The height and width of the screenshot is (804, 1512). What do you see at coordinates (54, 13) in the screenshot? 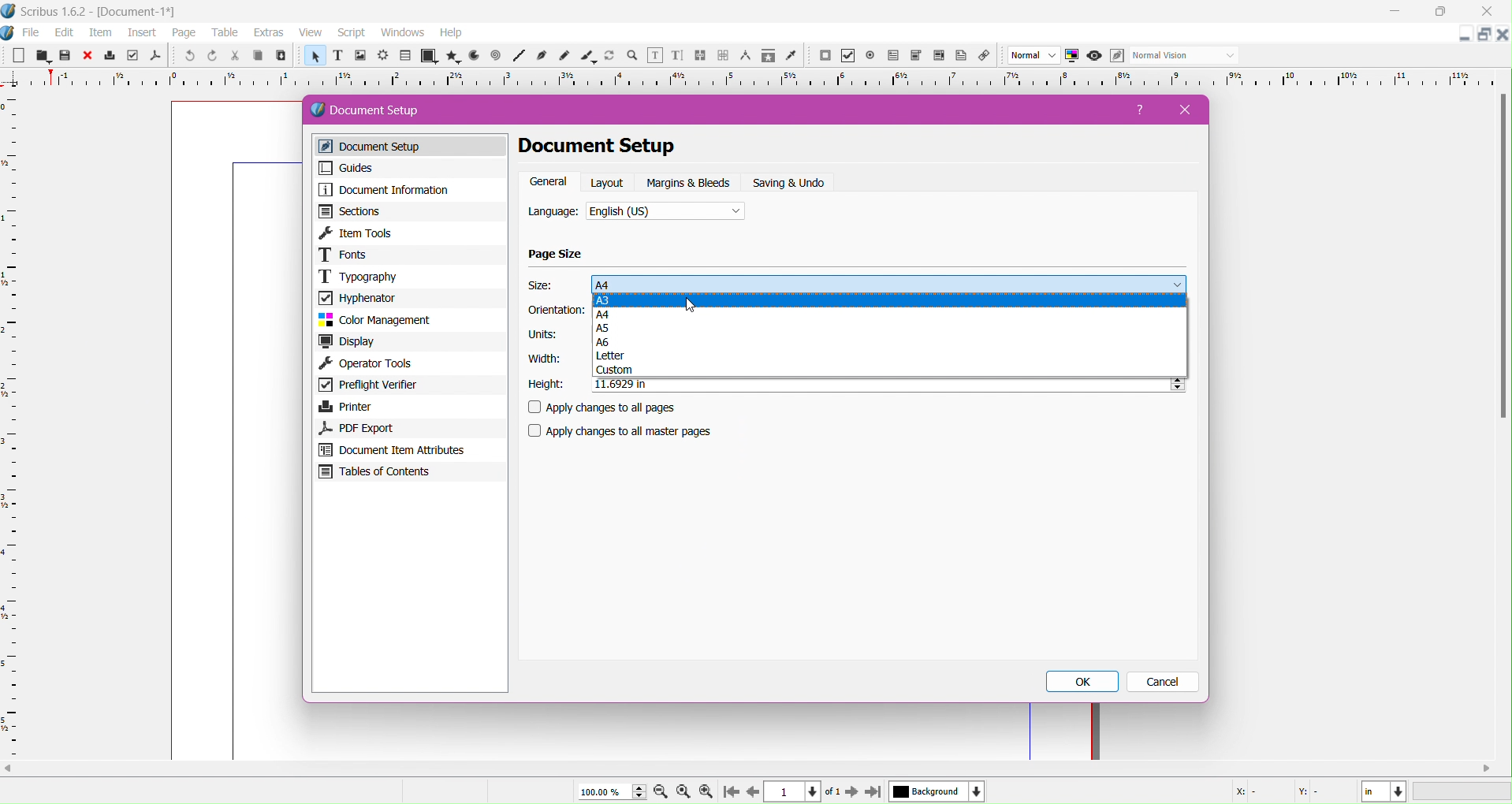
I see `app name` at bounding box center [54, 13].